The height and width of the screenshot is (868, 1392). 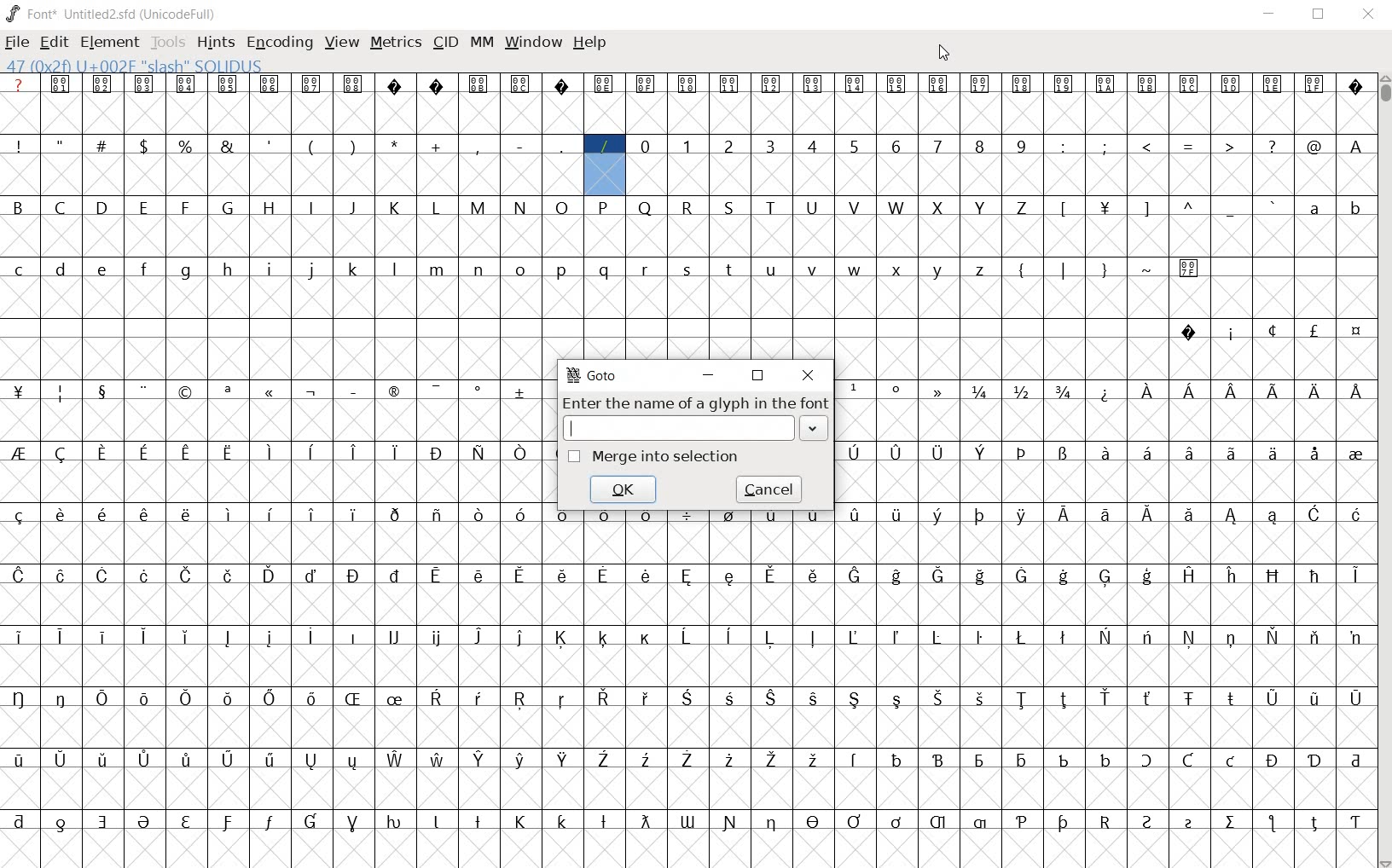 I want to click on glyph, so click(x=18, y=576).